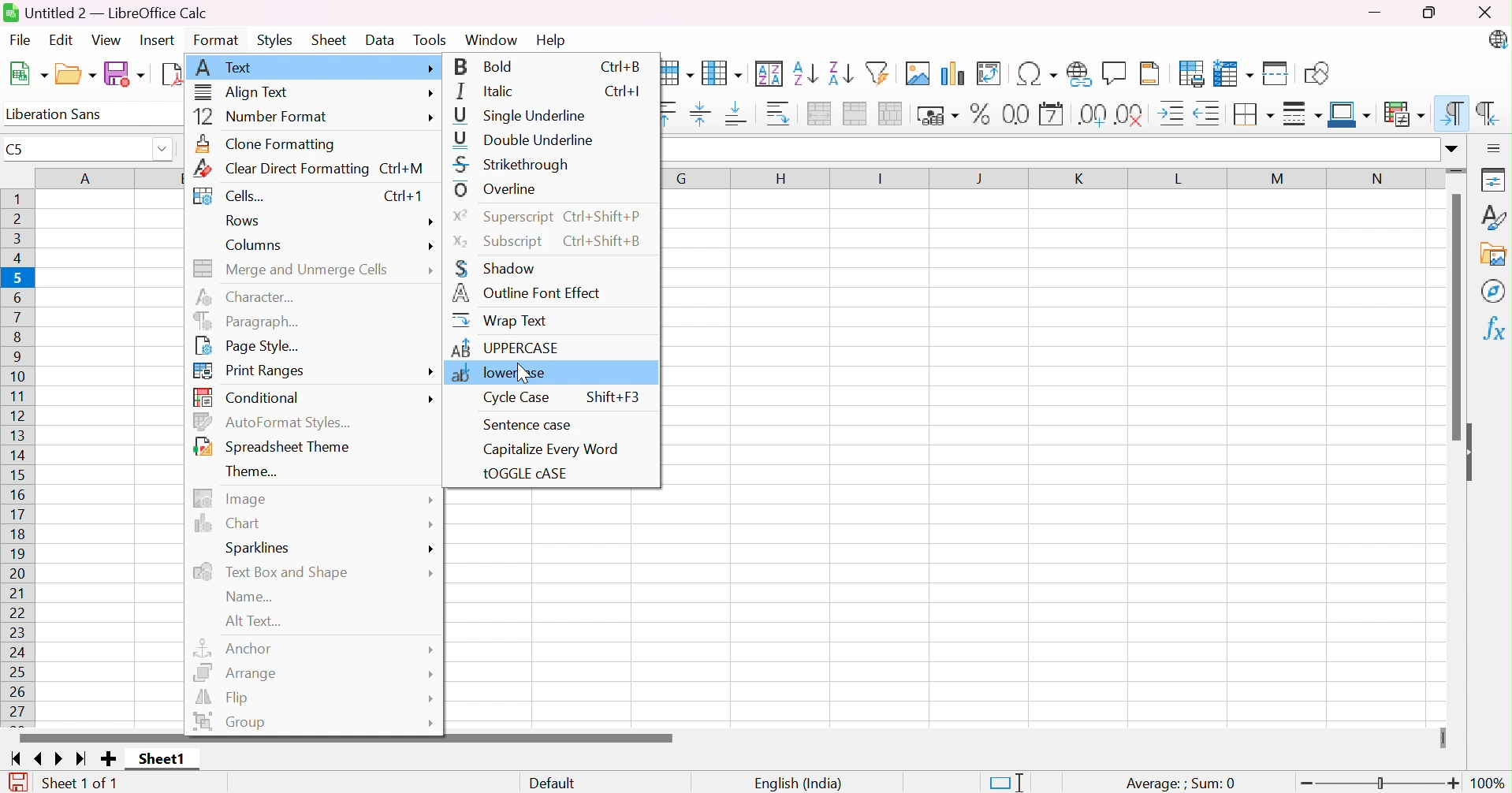  Describe the element at coordinates (1452, 146) in the screenshot. I see `Drop Down` at that location.